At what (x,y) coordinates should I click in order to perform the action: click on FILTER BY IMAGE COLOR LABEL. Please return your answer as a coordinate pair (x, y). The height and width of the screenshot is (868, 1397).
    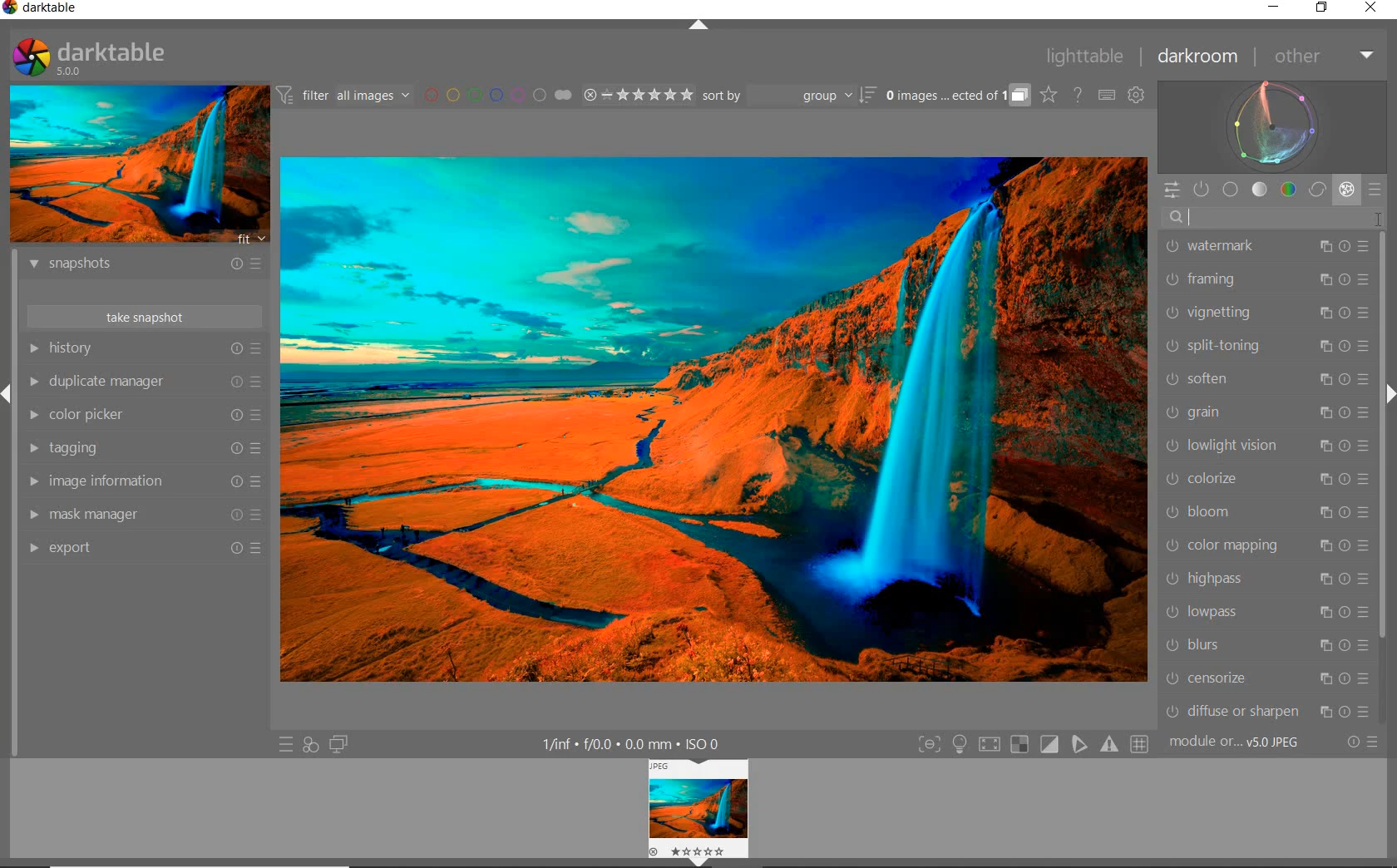
    Looking at the image, I should click on (499, 96).